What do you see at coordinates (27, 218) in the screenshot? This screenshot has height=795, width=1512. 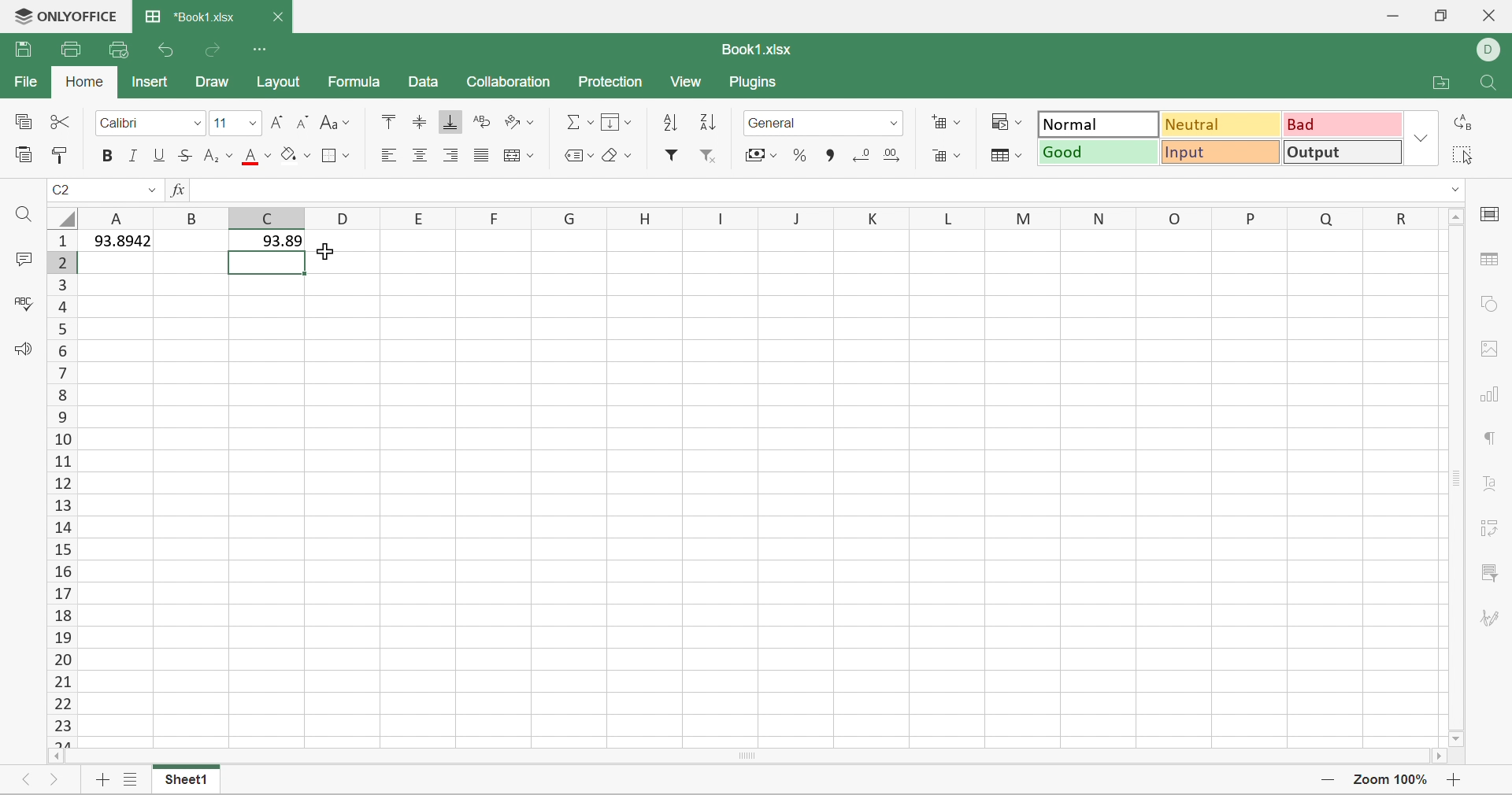 I see `Find` at bounding box center [27, 218].